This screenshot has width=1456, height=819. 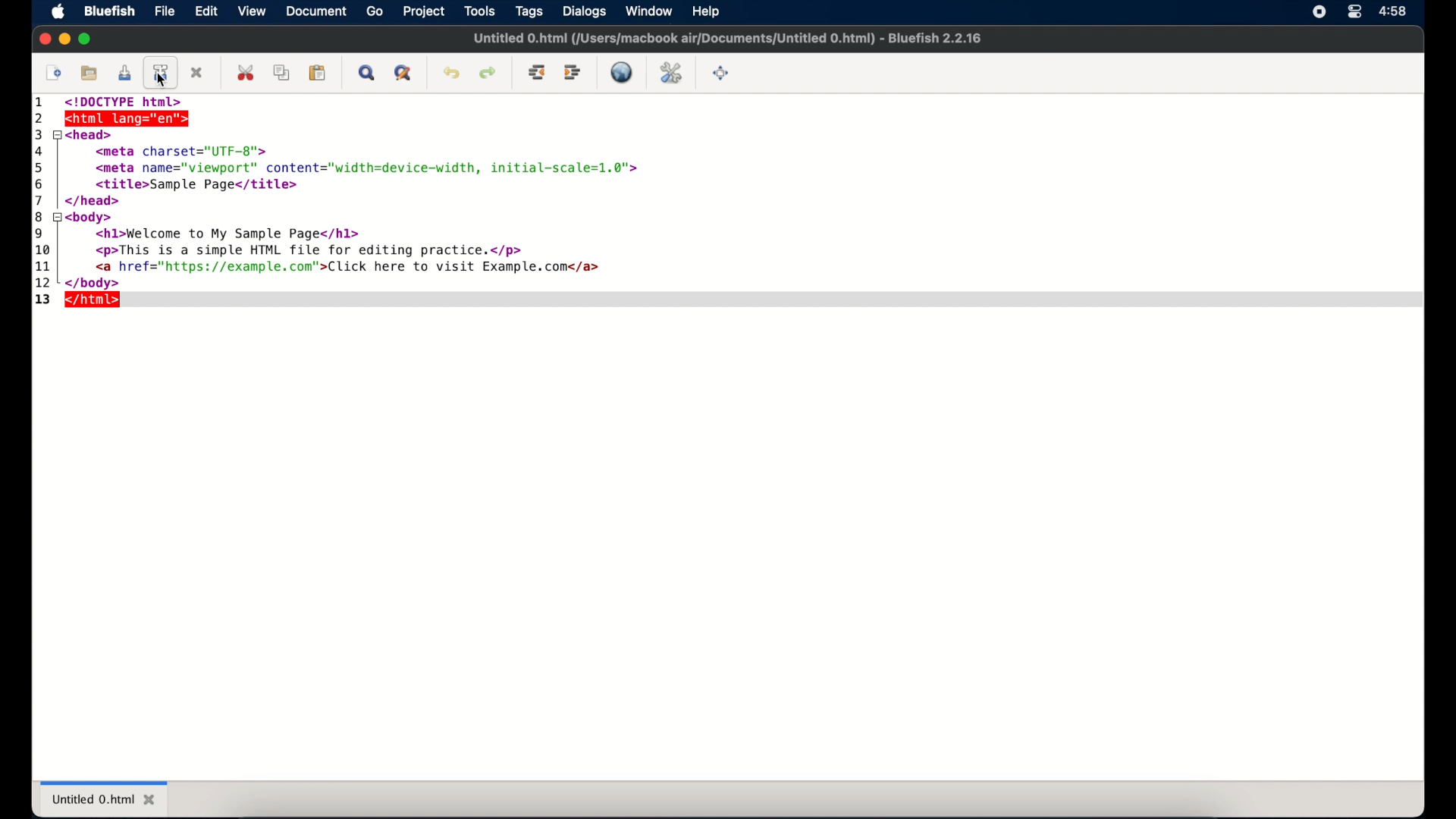 I want to click on view, so click(x=253, y=12).